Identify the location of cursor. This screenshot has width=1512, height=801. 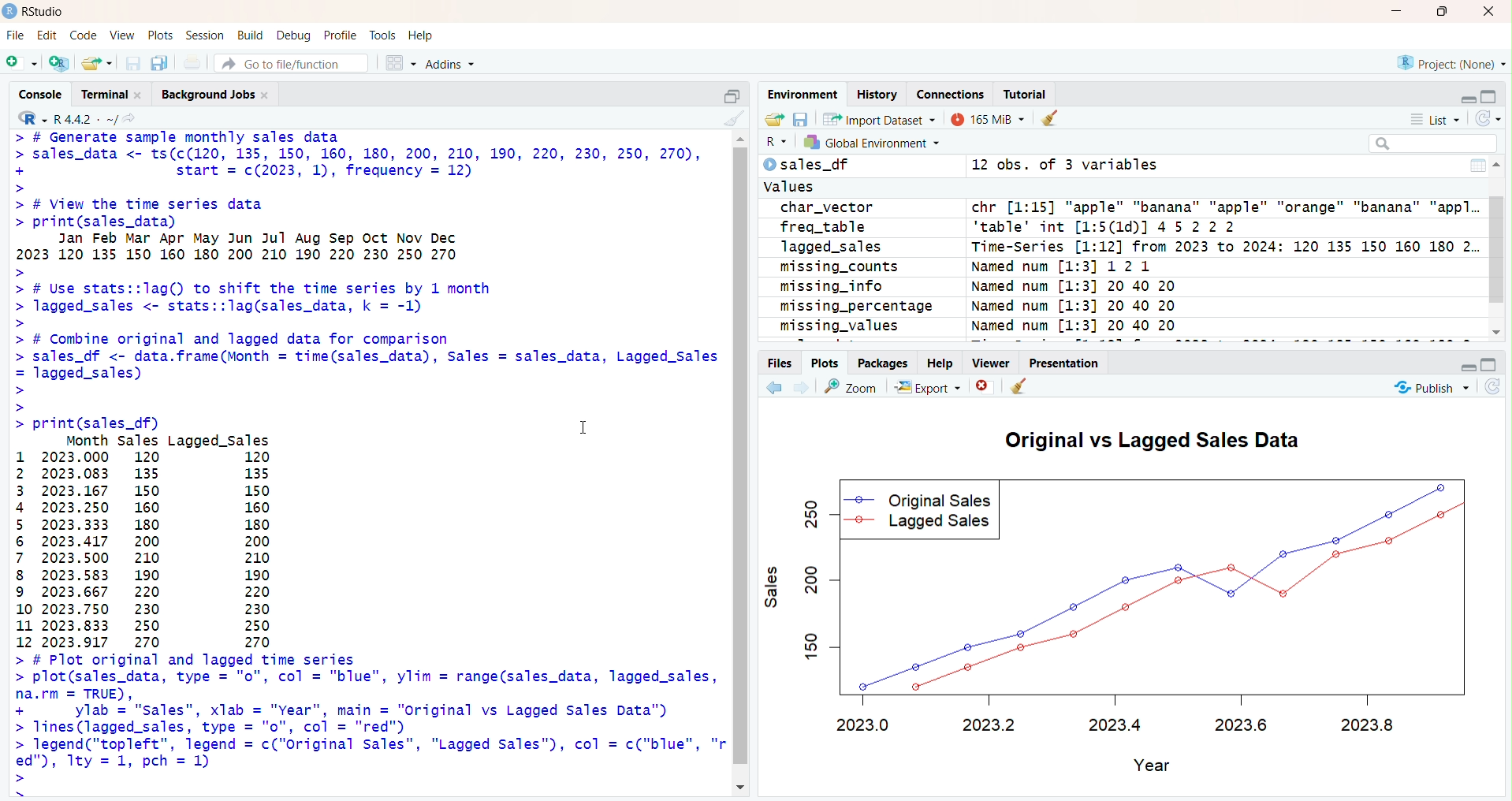
(584, 430).